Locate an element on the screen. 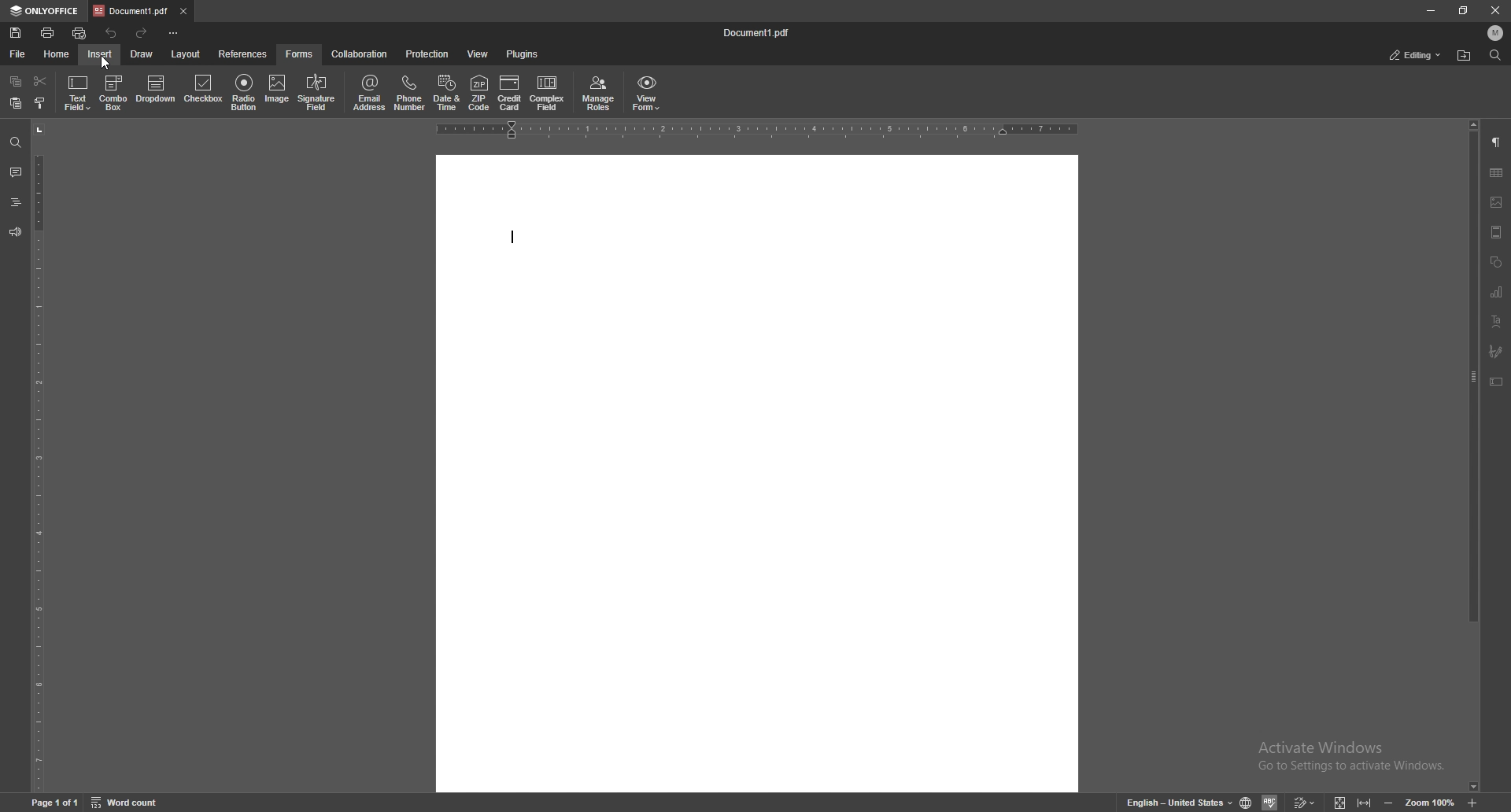 The height and width of the screenshot is (812, 1511). credit card is located at coordinates (509, 93).